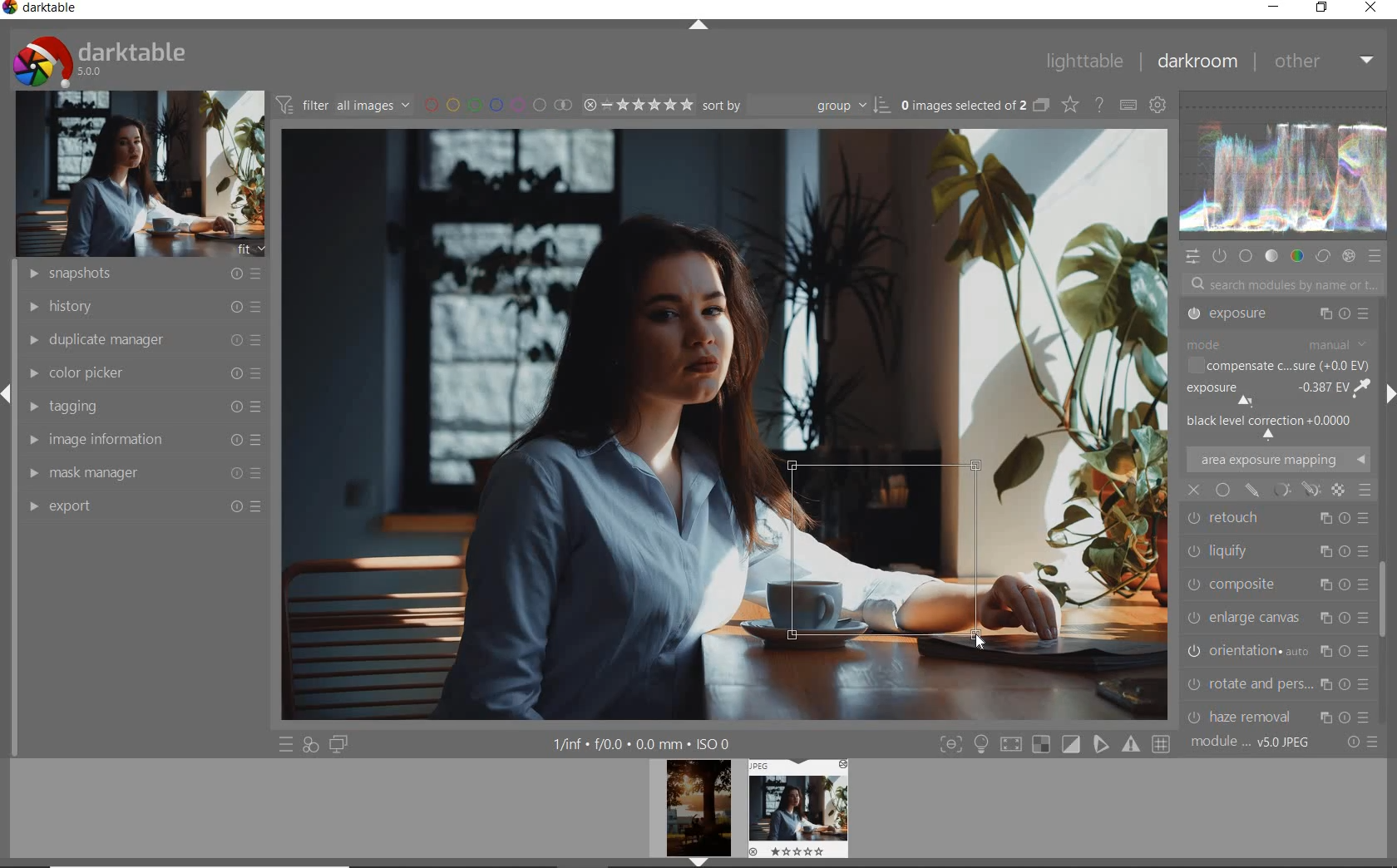 Image resolution: width=1397 pixels, height=868 pixels. I want to click on QUICK ACCESS PANEL, so click(1192, 257).